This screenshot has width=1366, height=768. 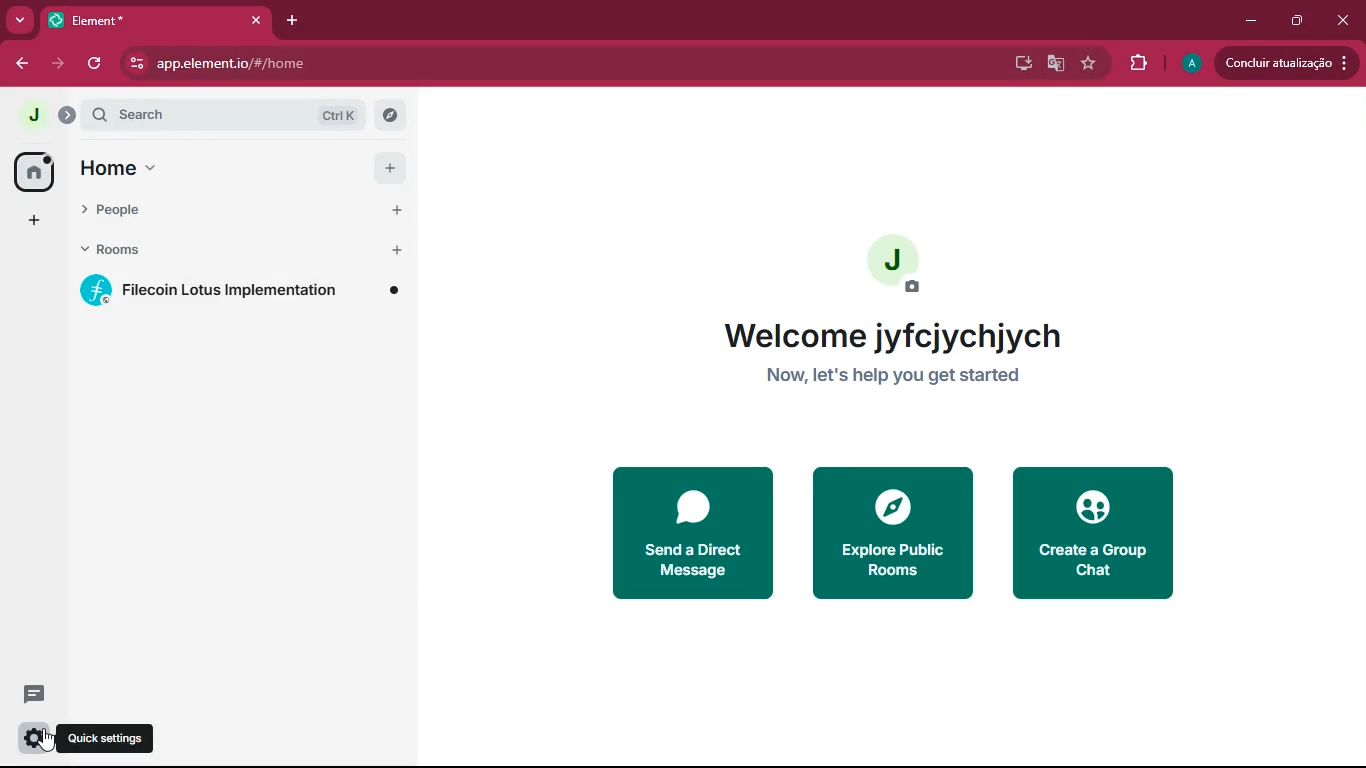 What do you see at coordinates (217, 250) in the screenshot?
I see `rooms` at bounding box center [217, 250].